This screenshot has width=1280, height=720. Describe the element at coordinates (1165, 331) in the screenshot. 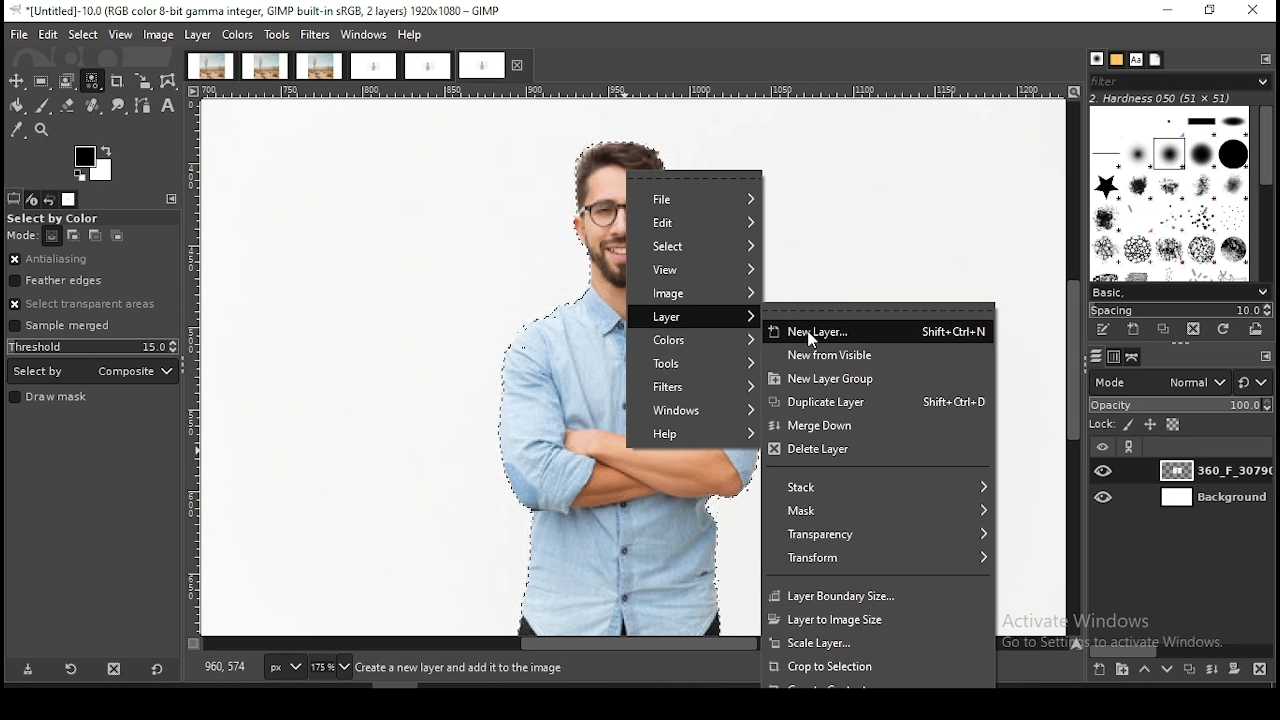

I see `duplicate brush` at that location.